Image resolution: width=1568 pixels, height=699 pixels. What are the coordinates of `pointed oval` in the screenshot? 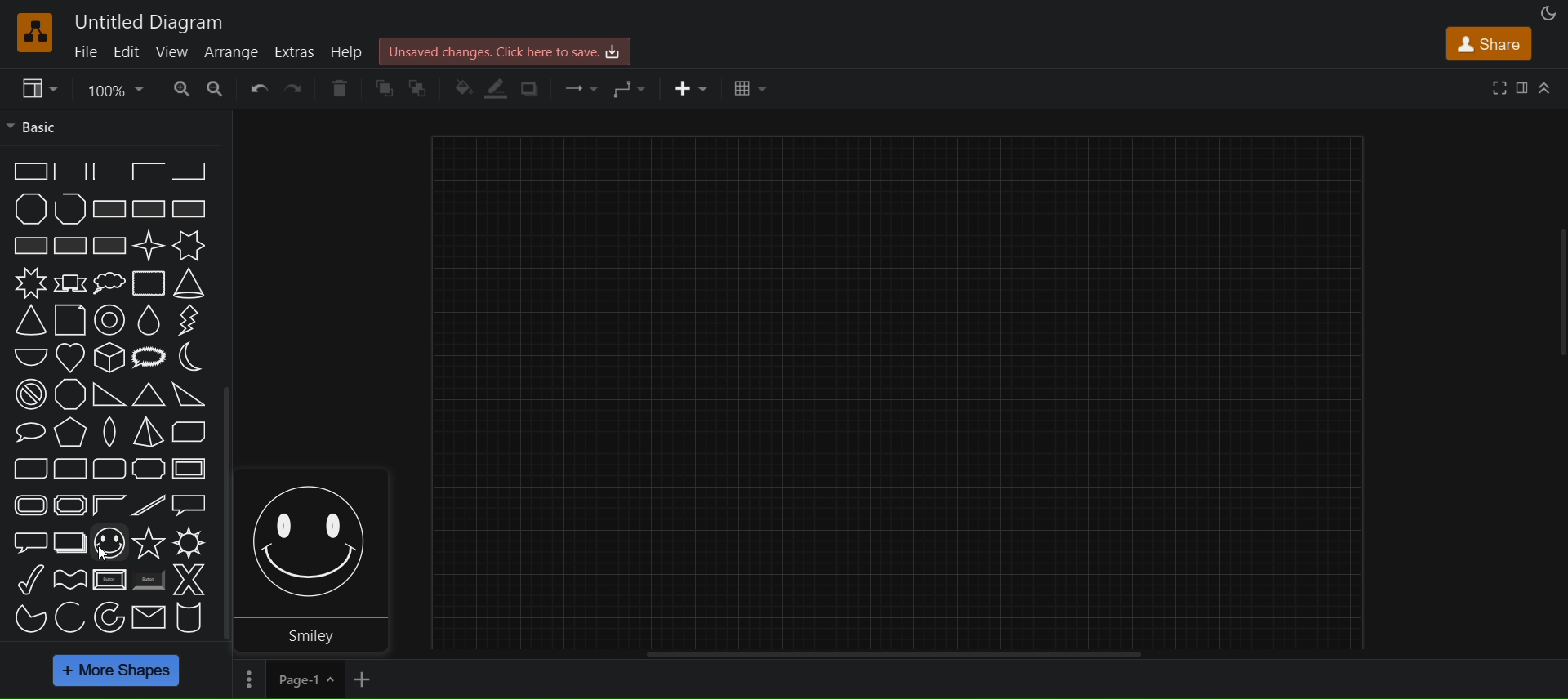 It's located at (106, 432).